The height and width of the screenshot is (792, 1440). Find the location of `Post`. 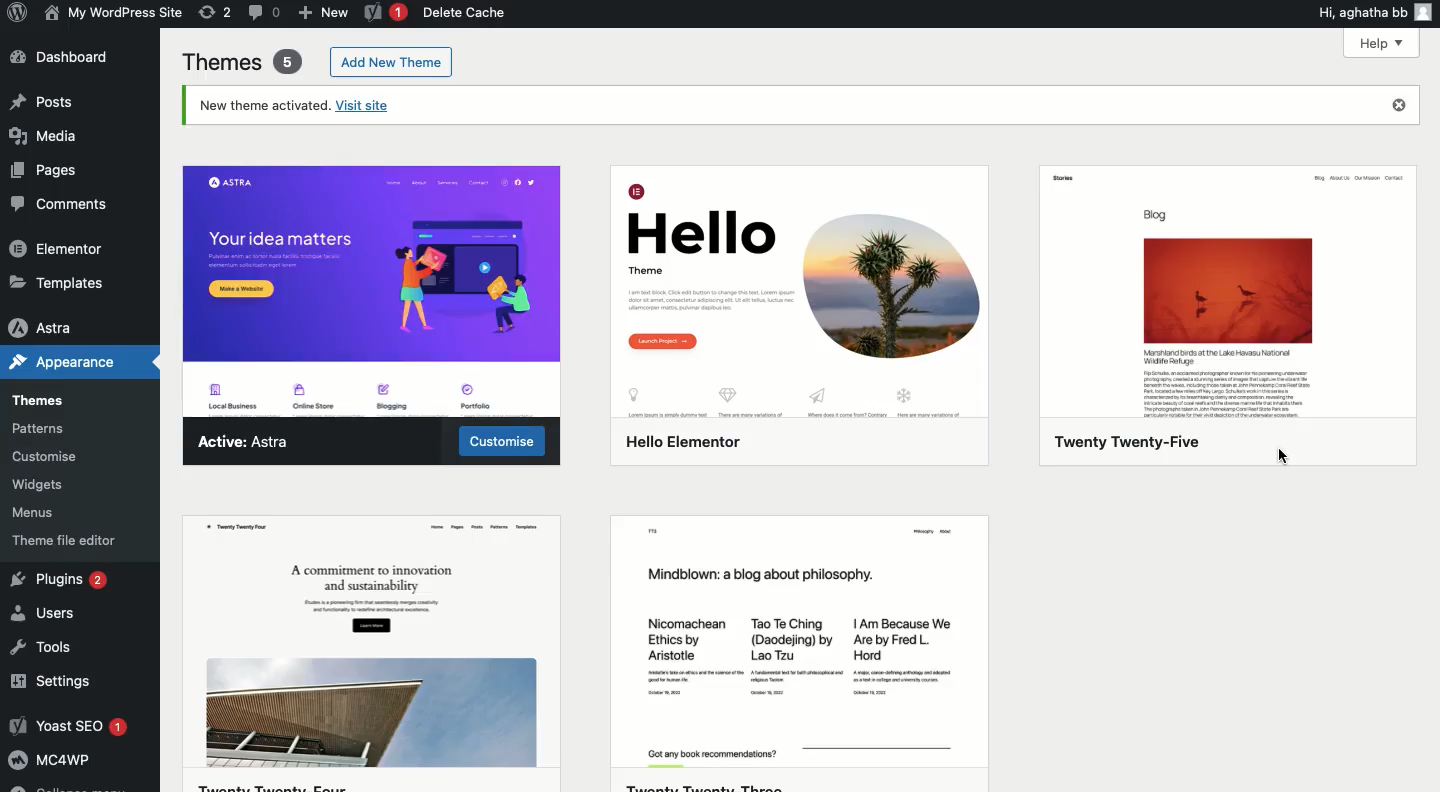

Post is located at coordinates (43, 100).